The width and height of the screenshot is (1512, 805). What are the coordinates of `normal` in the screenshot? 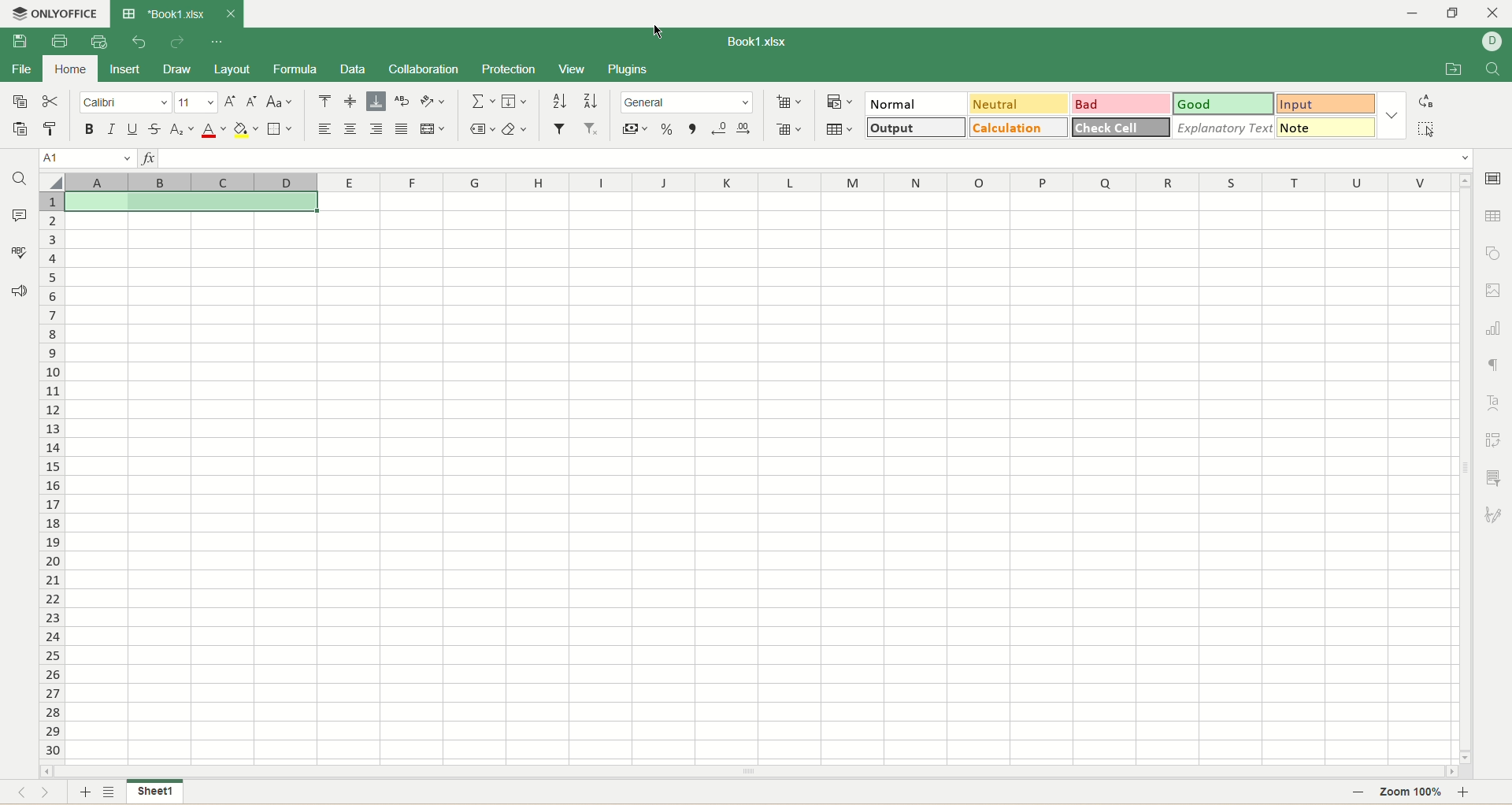 It's located at (916, 103).